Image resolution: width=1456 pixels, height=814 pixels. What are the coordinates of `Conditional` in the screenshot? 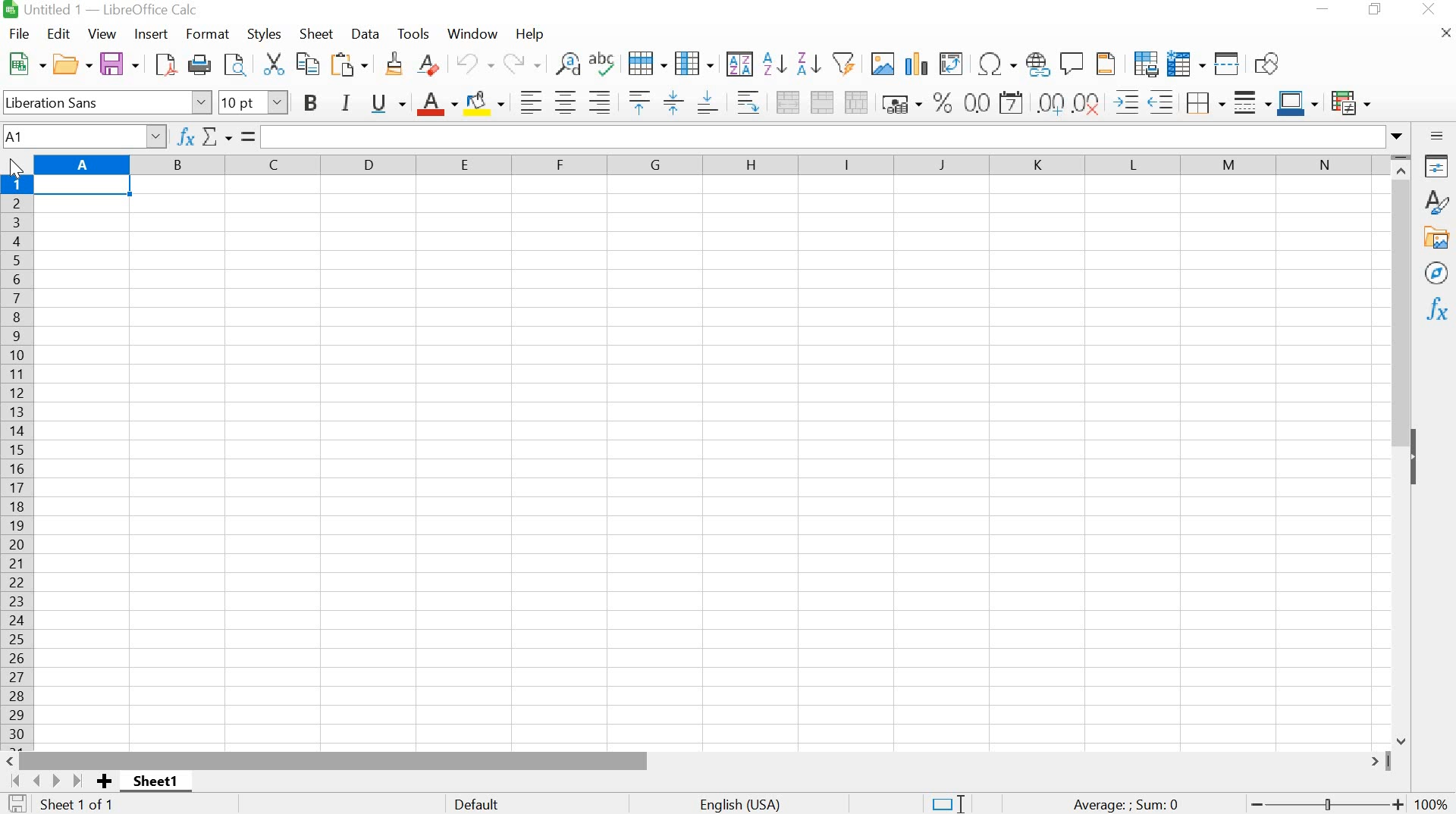 It's located at (1354, 104).